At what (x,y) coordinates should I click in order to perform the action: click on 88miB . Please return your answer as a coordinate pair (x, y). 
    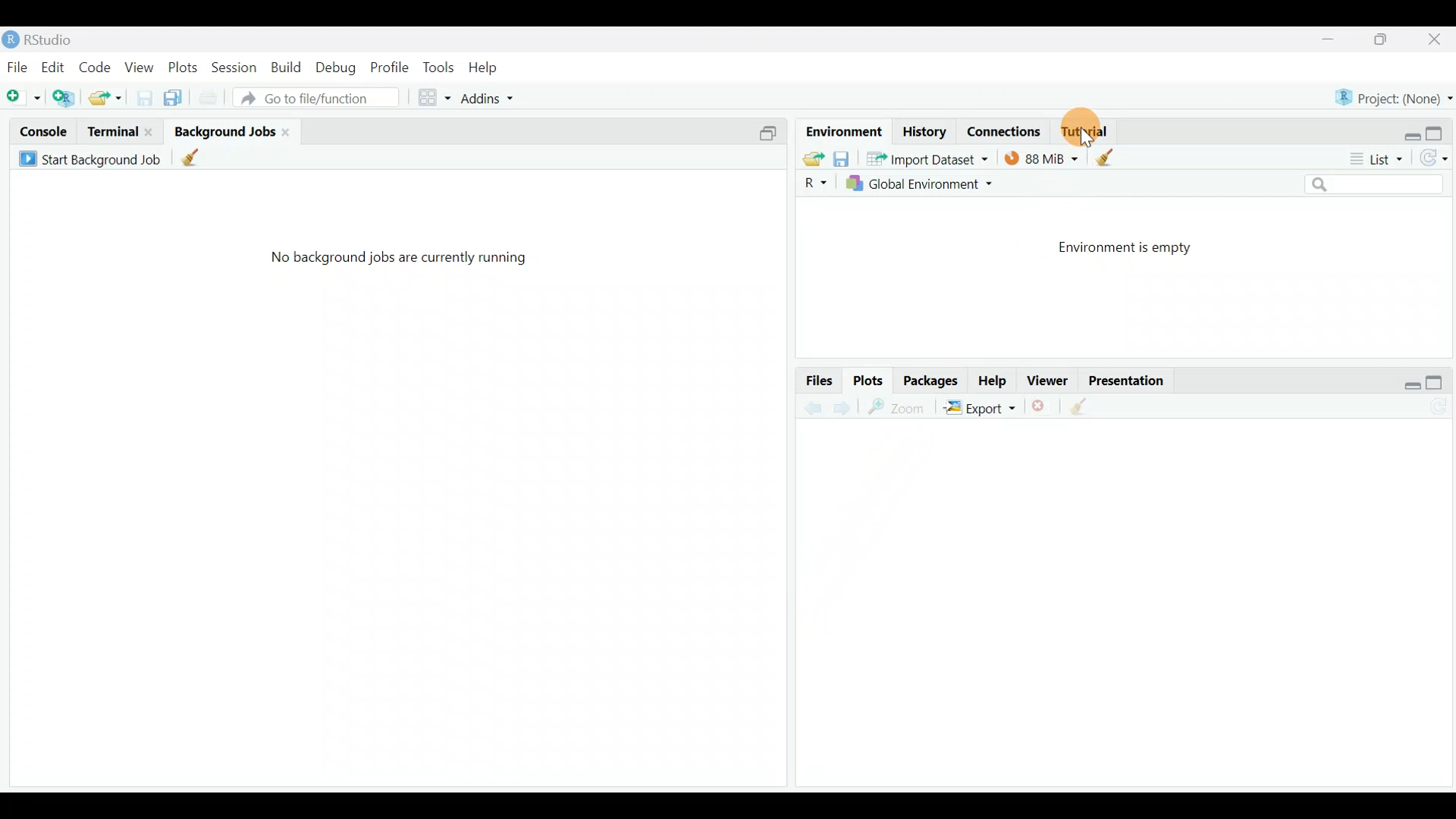
    Looking at the image, I should click on (1041, 160).